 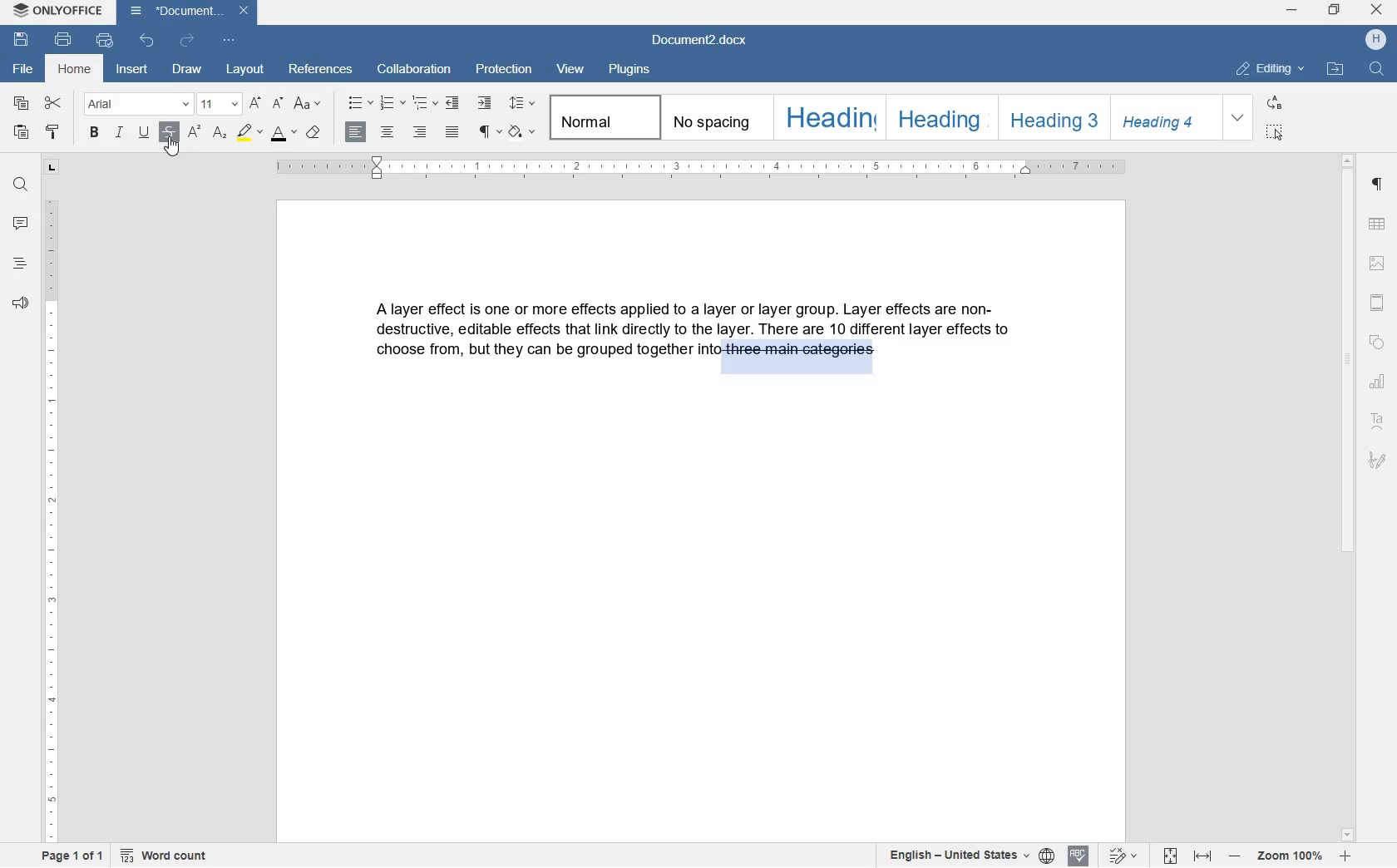 What do you see at coordinates (171, 131) in the screenshot?
I see `strike through` at bounding box center [171, 131].